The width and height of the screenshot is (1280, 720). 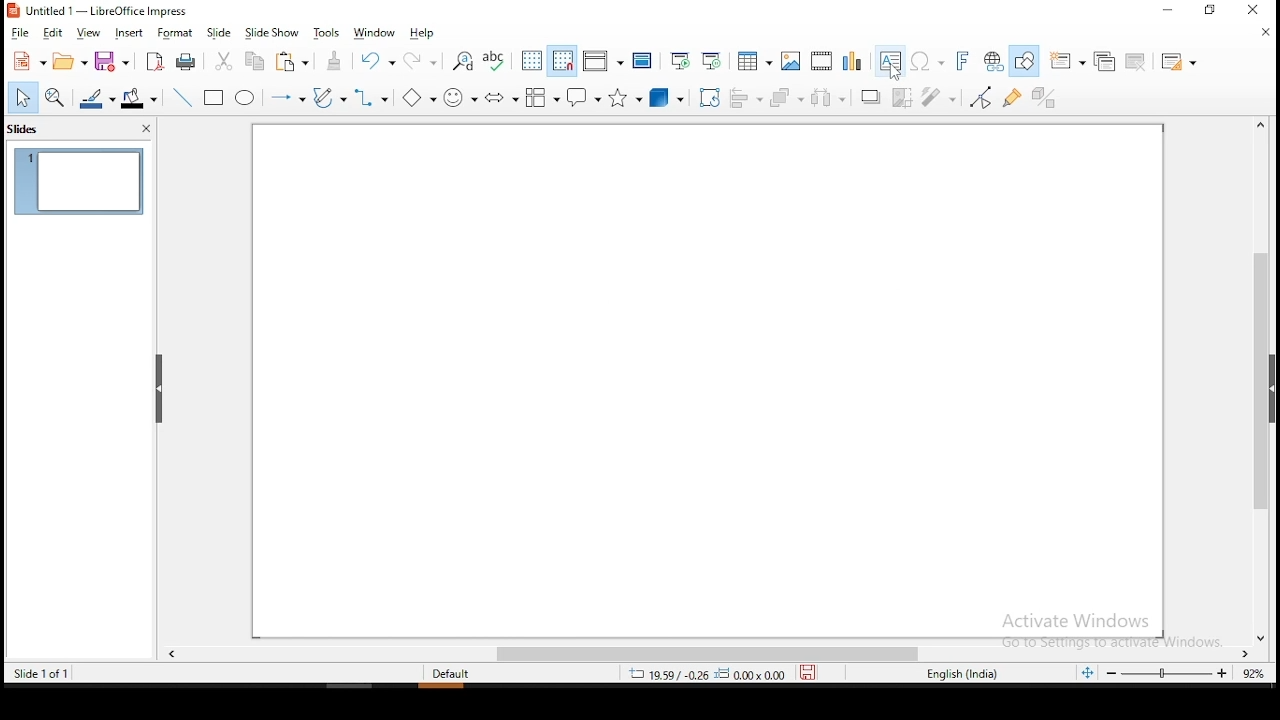 What do you see at coordinates (828, 98) in the screenshot?
I see `distribute` at bounding box center [828, 98].